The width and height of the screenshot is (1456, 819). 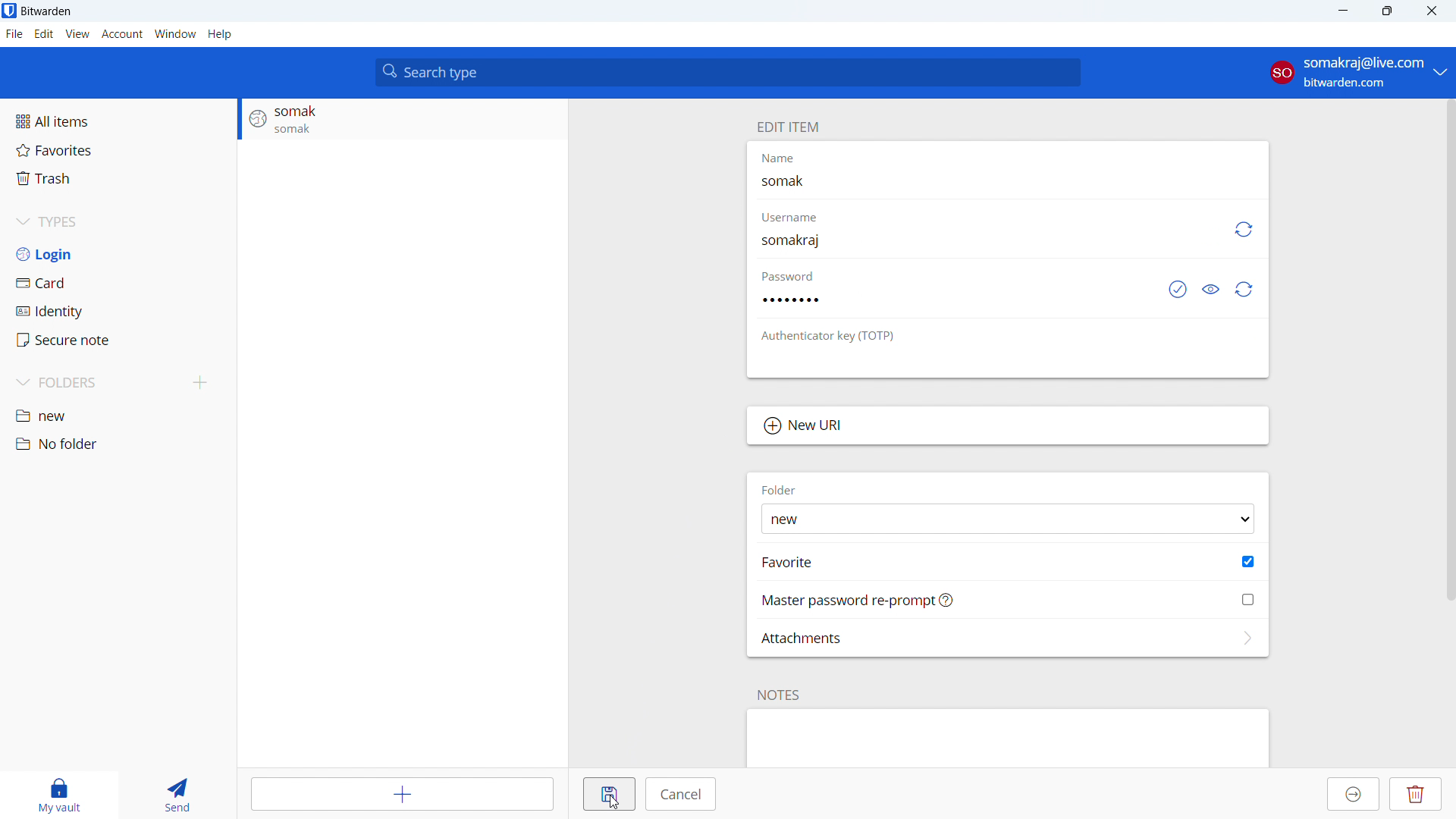 I want to click on generate password, so click(x=1244, y=289).